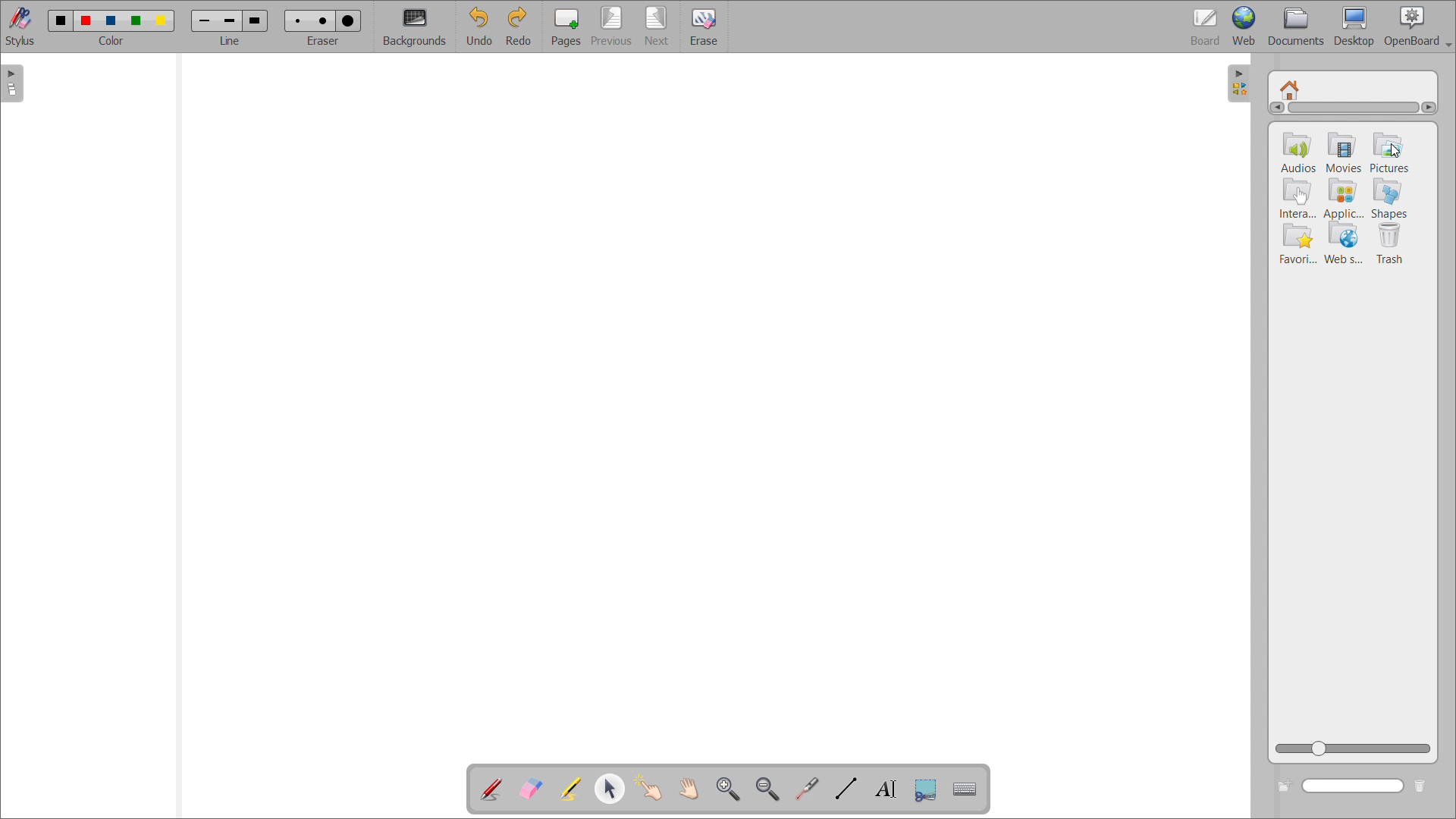 The height and width of the screenshot is (819, 1456). I want to click on erase annotation, so click(531, 789).